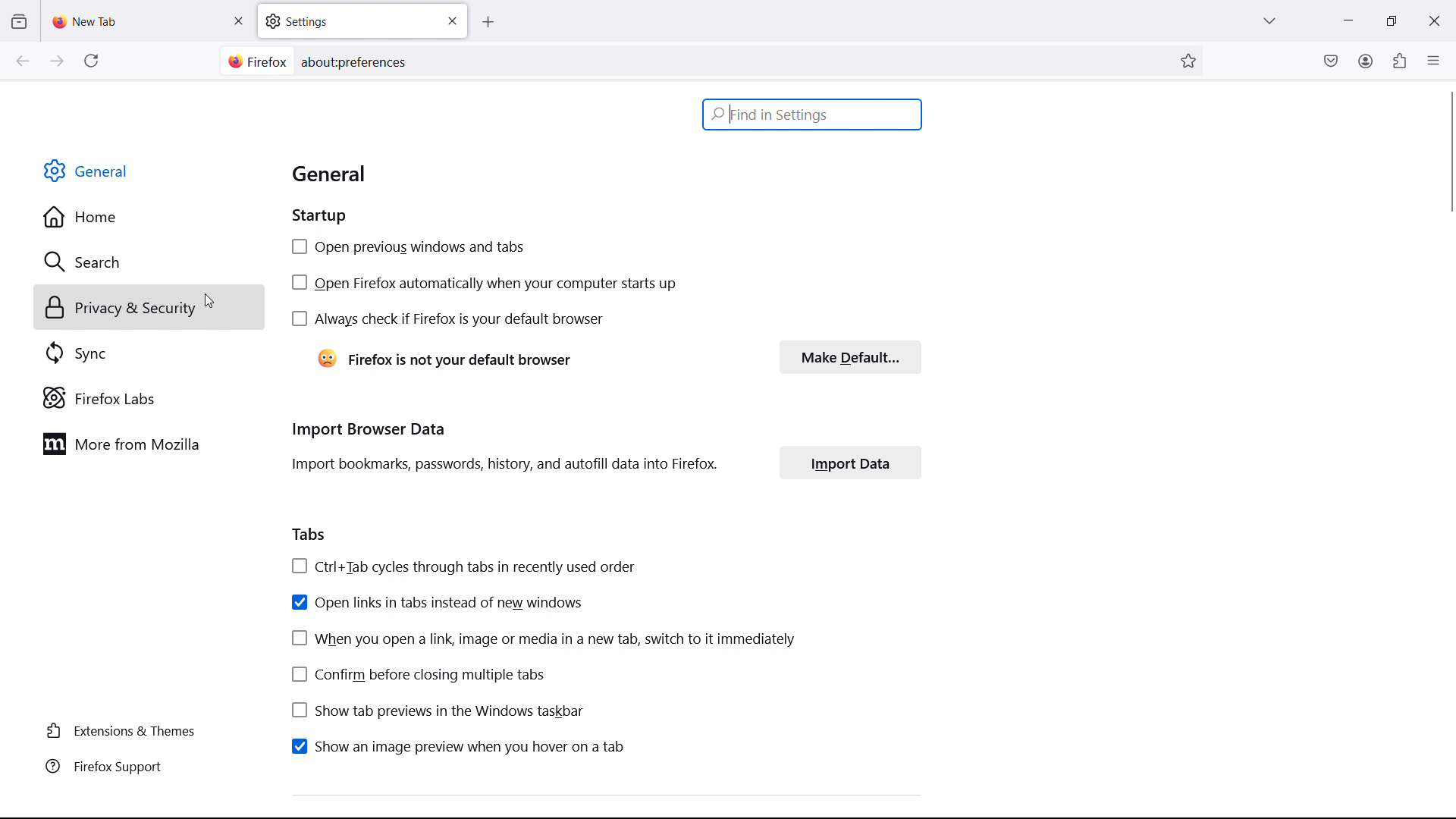 This screenshot has height=819, width=1456. What do you see at coordinates (144, 217) in the screenshot?
I see `home` at bounding box center [144, 217].